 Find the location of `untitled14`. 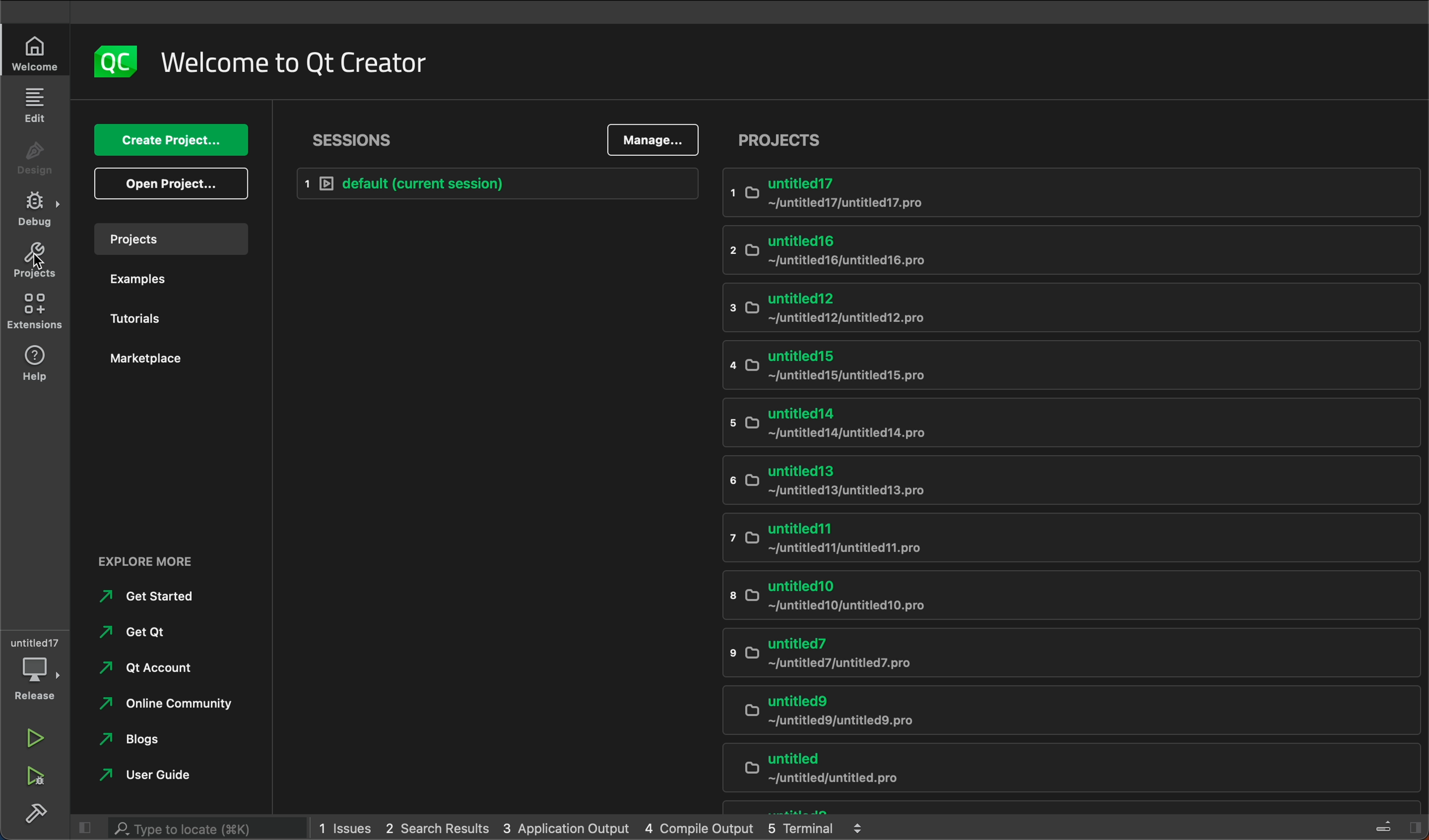

untitled14 is located at coordinates (1059, 423).